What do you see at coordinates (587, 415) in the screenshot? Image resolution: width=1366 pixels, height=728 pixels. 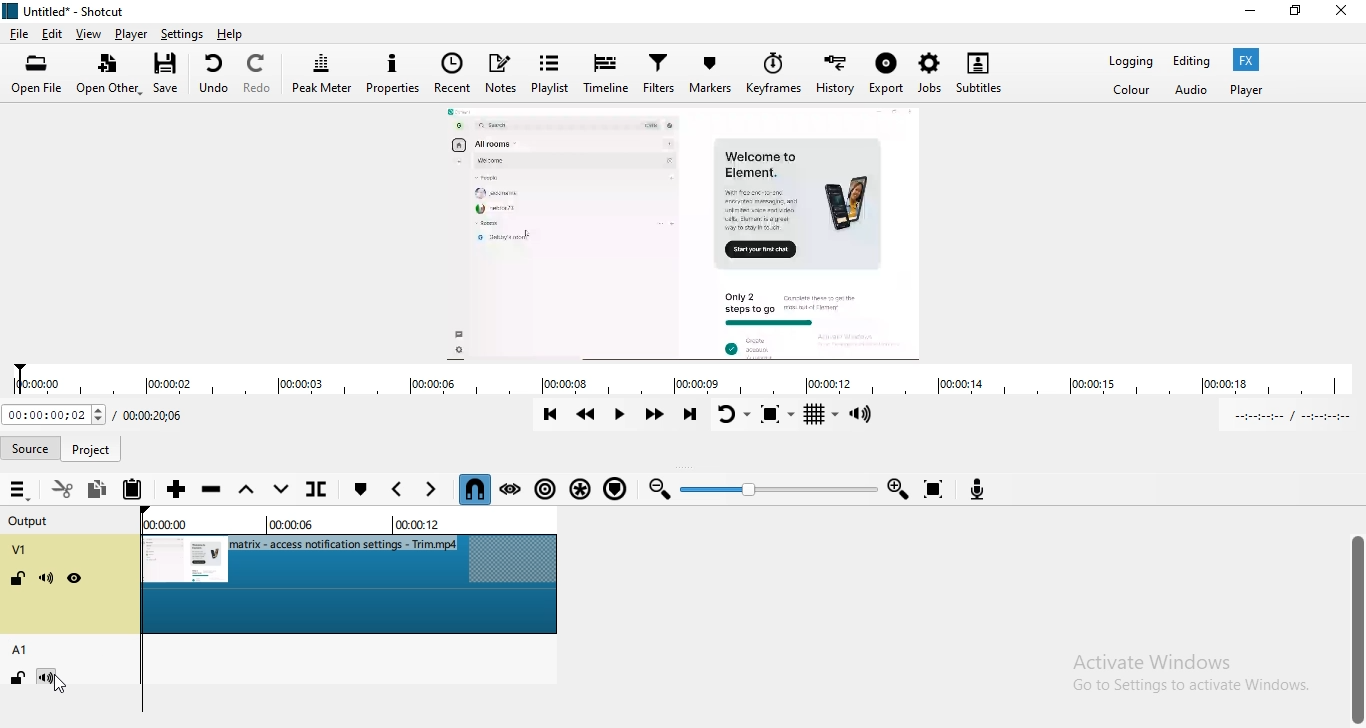 I see `Play quickly backwards` at bounding box center [587, 415].